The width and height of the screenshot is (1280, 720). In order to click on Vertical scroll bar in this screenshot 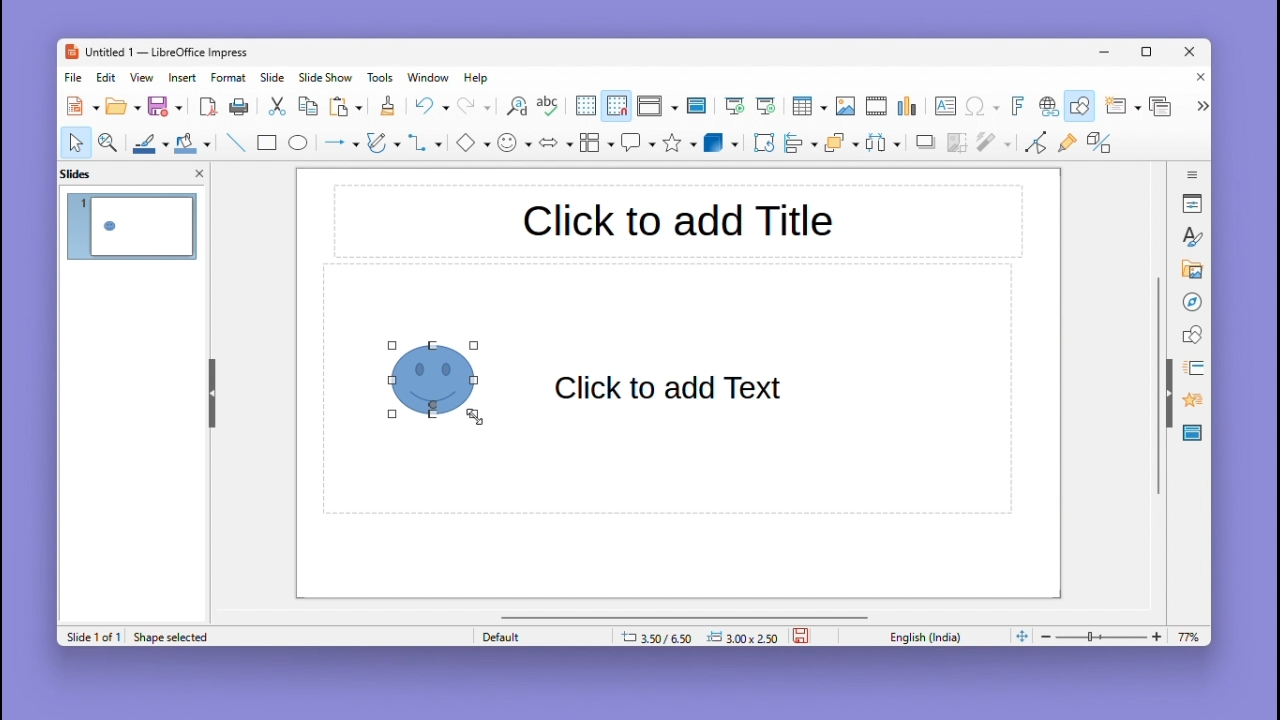, I will do `click(1158, 386)`.